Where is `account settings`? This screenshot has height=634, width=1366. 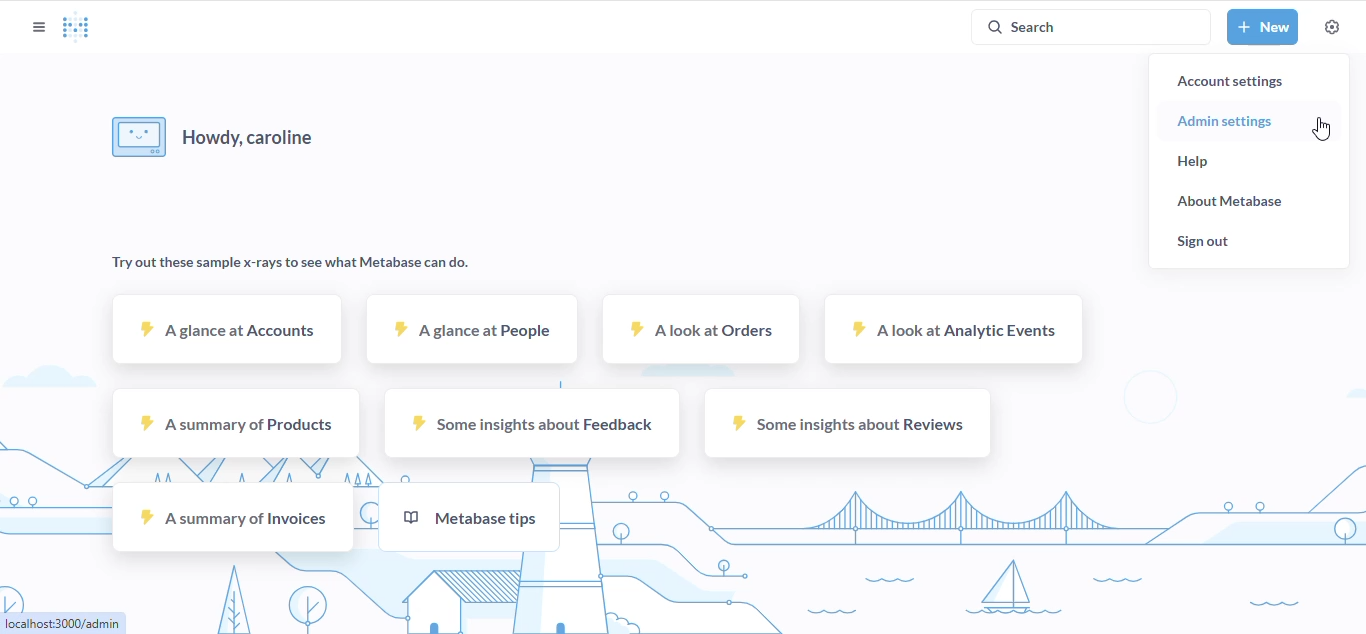 account settings is located at coordinates (1229, 82).